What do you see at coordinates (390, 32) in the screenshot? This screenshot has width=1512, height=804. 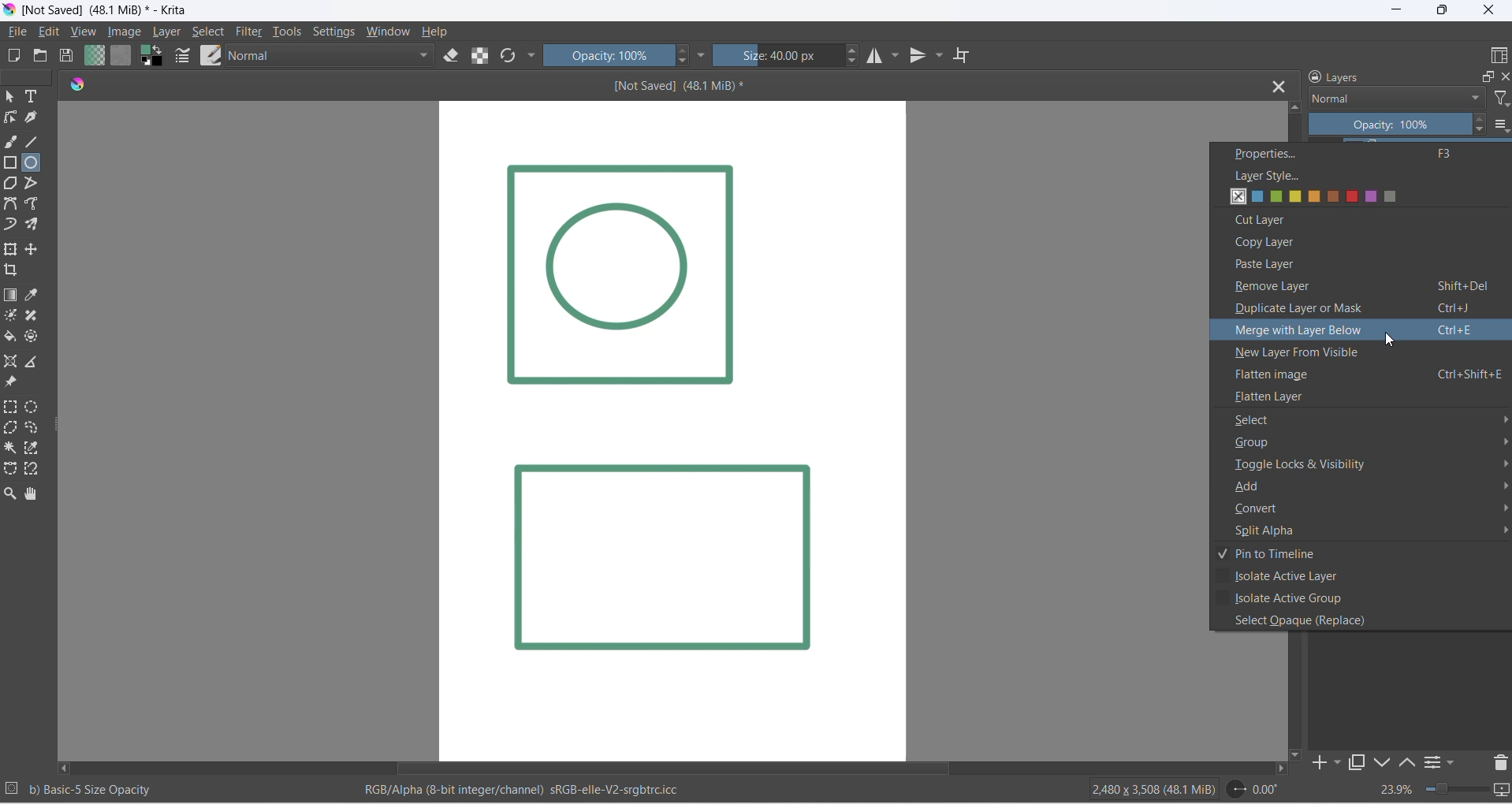 I see `window` at bounding box center [390, 32].